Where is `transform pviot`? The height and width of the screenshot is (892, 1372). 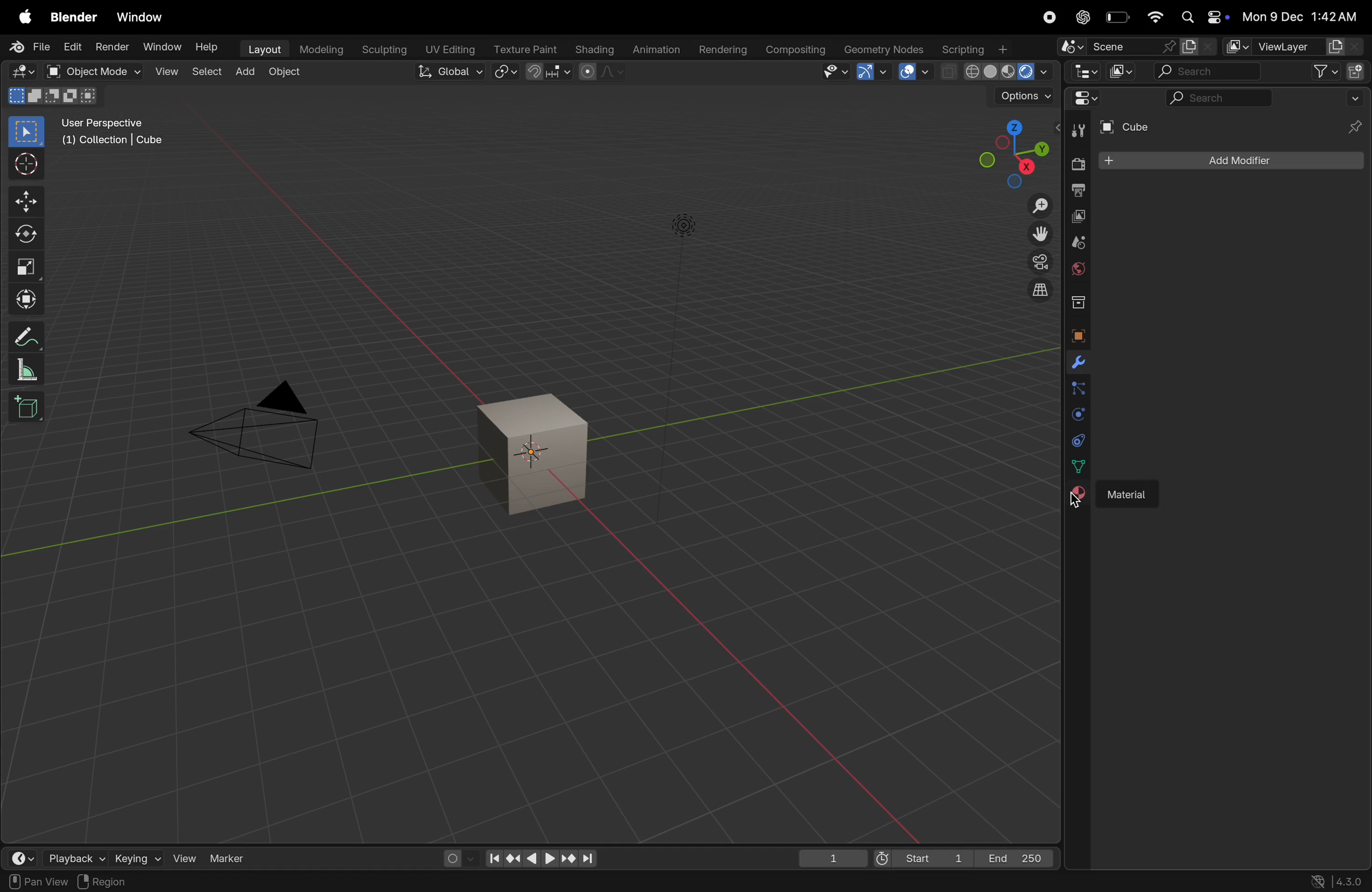 transform pviot is located at coordinates (506, 72).